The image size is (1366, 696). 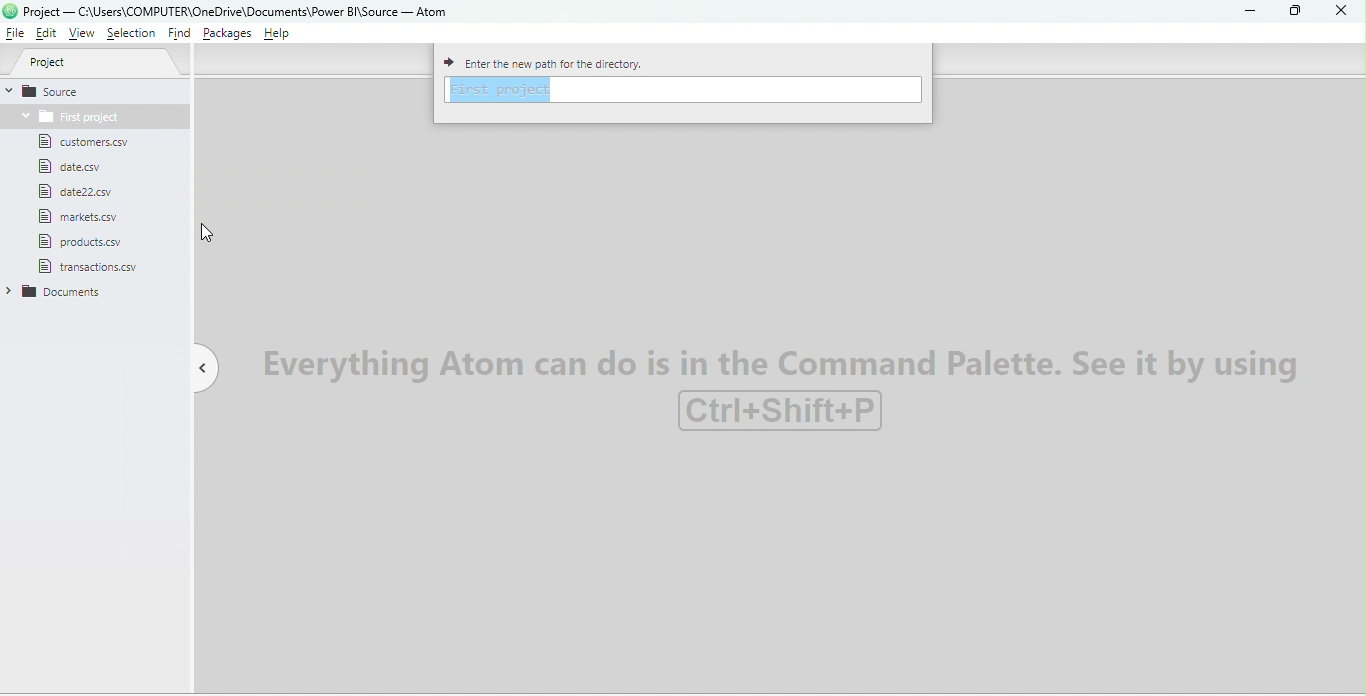 I want to click on Help, so click(x=281, y=35).